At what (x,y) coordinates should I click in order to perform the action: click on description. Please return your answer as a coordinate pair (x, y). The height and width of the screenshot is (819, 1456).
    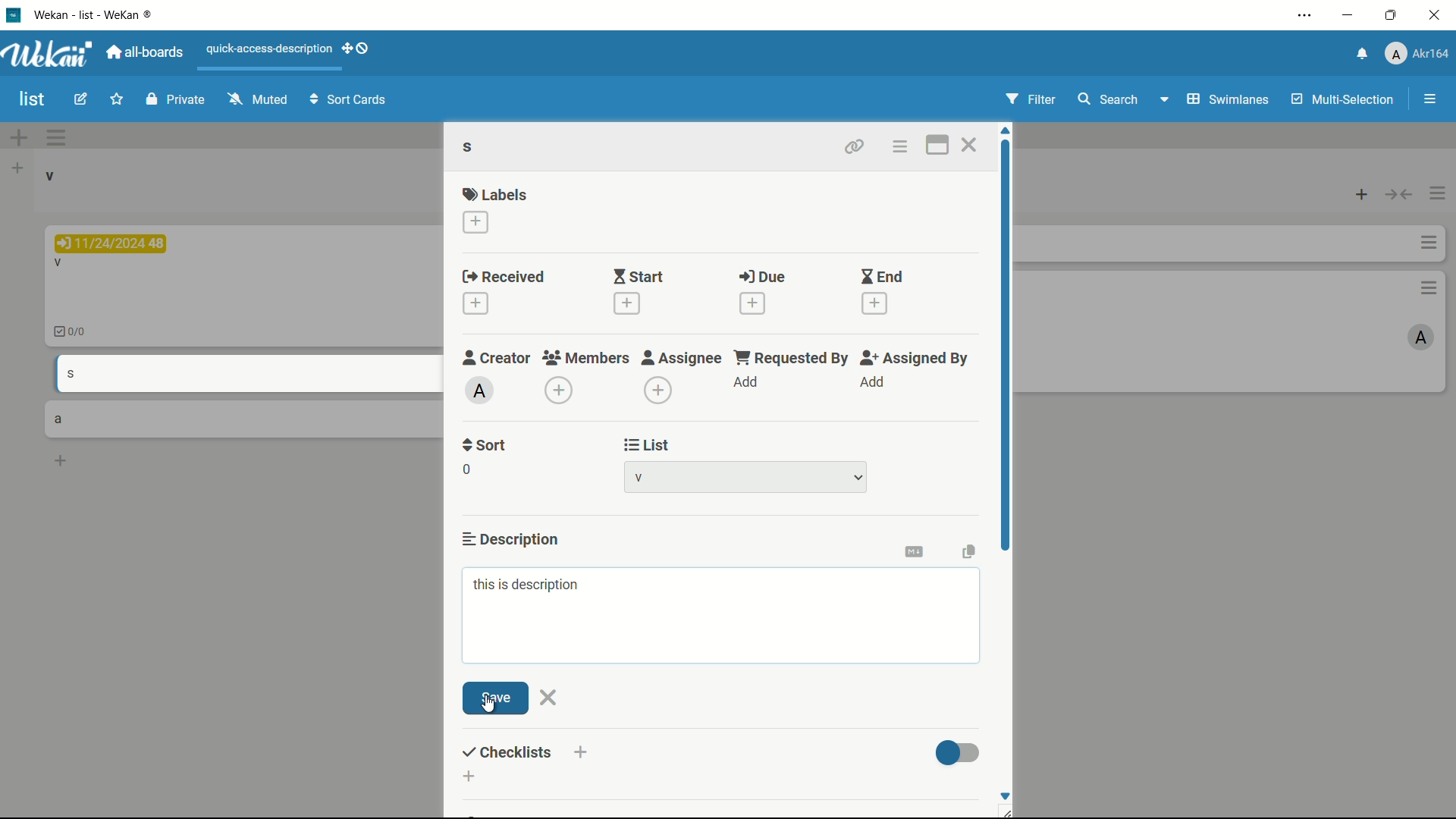
    Looking at the image, I should click on (510, 538).